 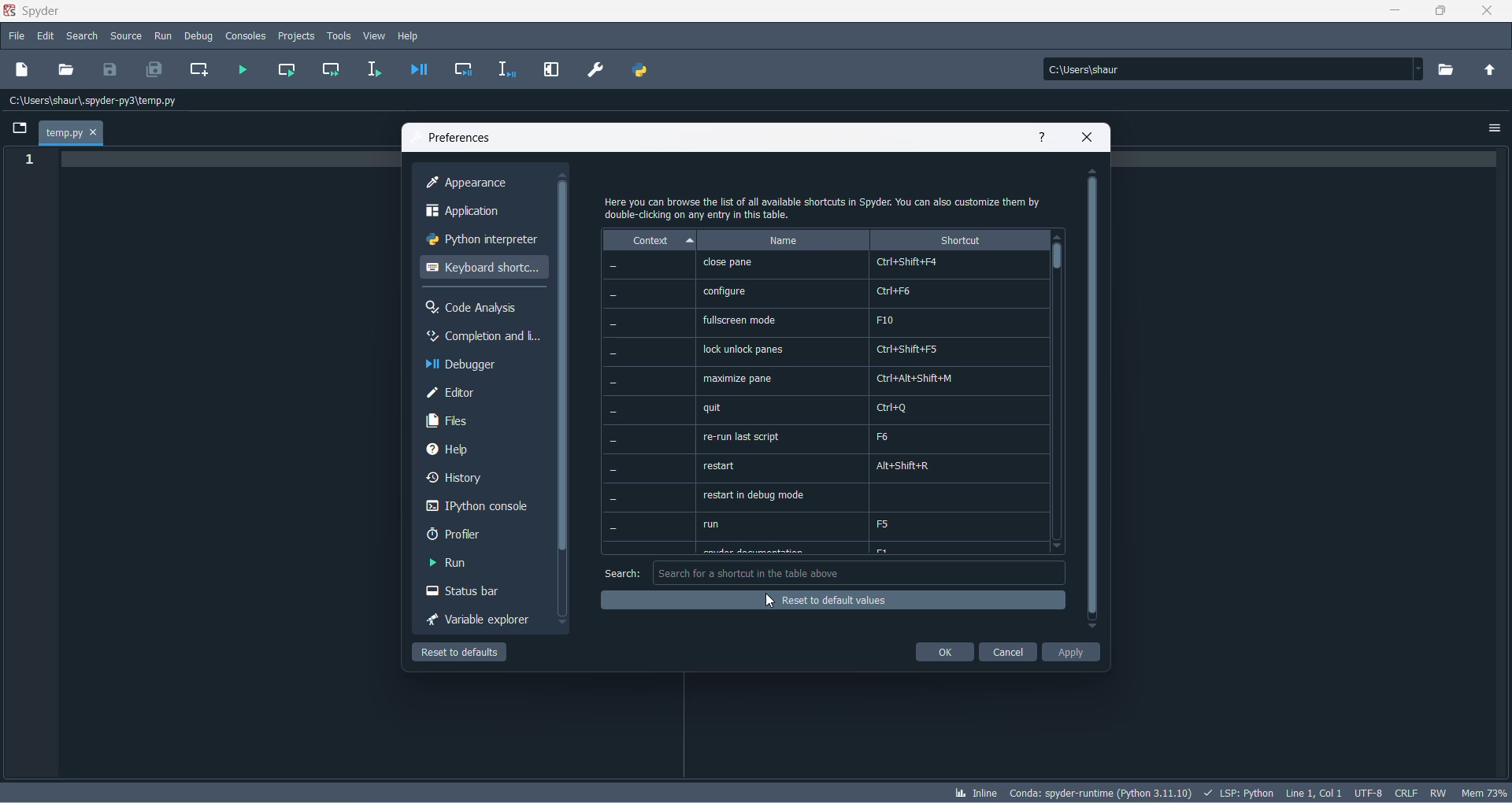 What do you see at coordinates (376, 36) in the screenshot?
I see `view` at bounding box center [376, 36].